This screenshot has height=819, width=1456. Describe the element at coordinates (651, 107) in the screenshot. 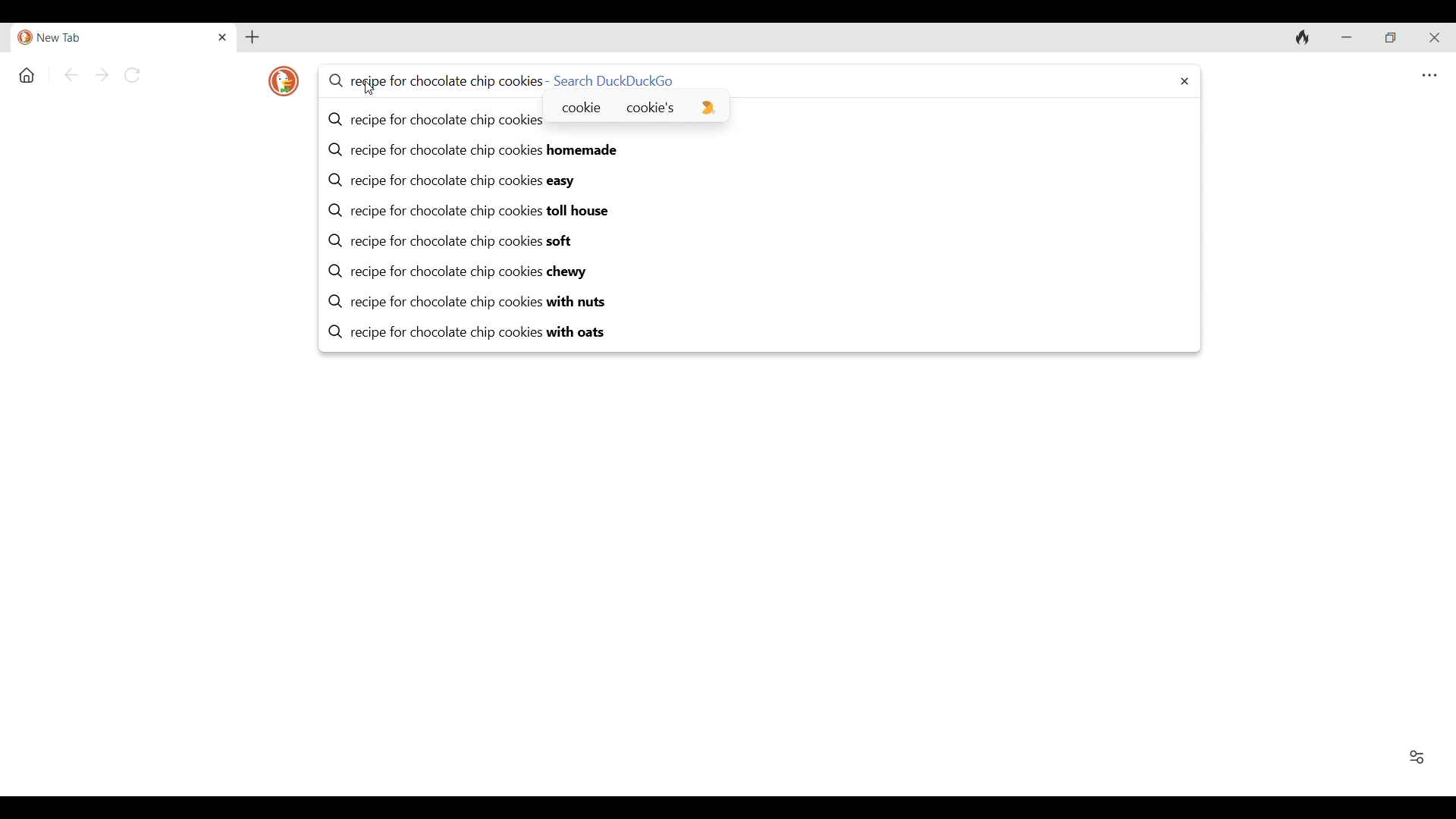

I see `cookie's` at that location.